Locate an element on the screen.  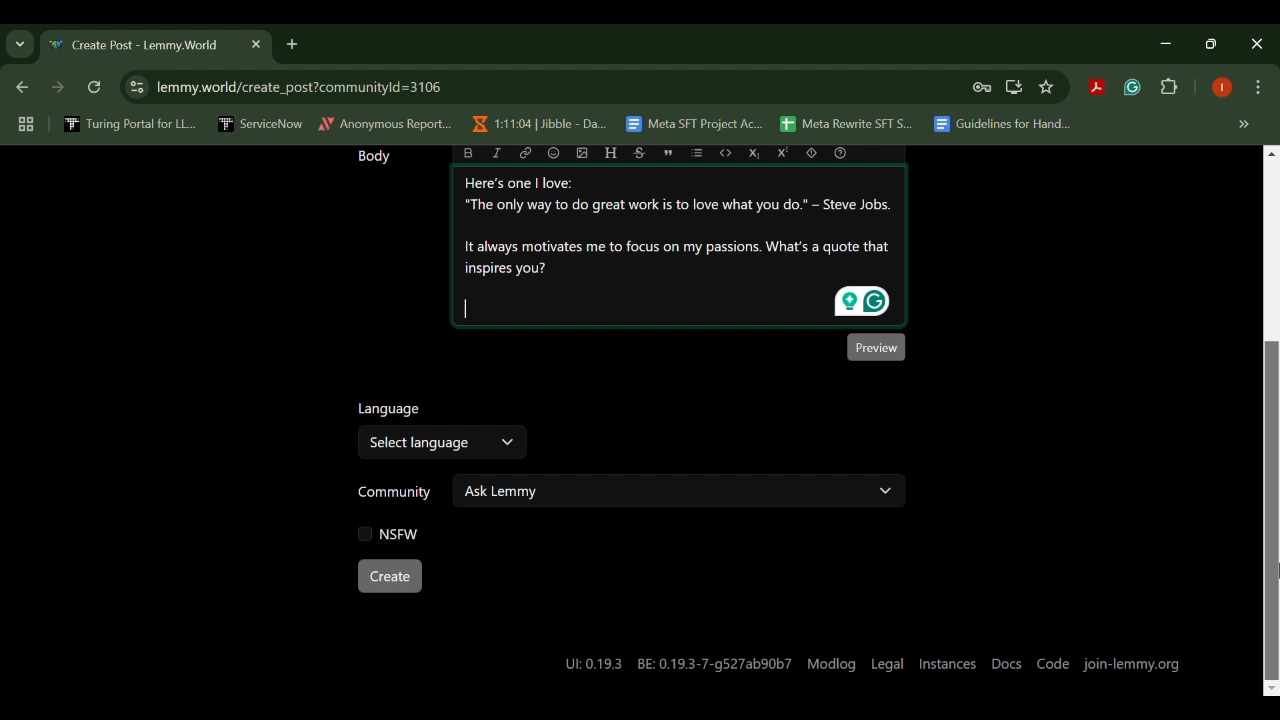
Modlog is located at coordinates (831, 662).